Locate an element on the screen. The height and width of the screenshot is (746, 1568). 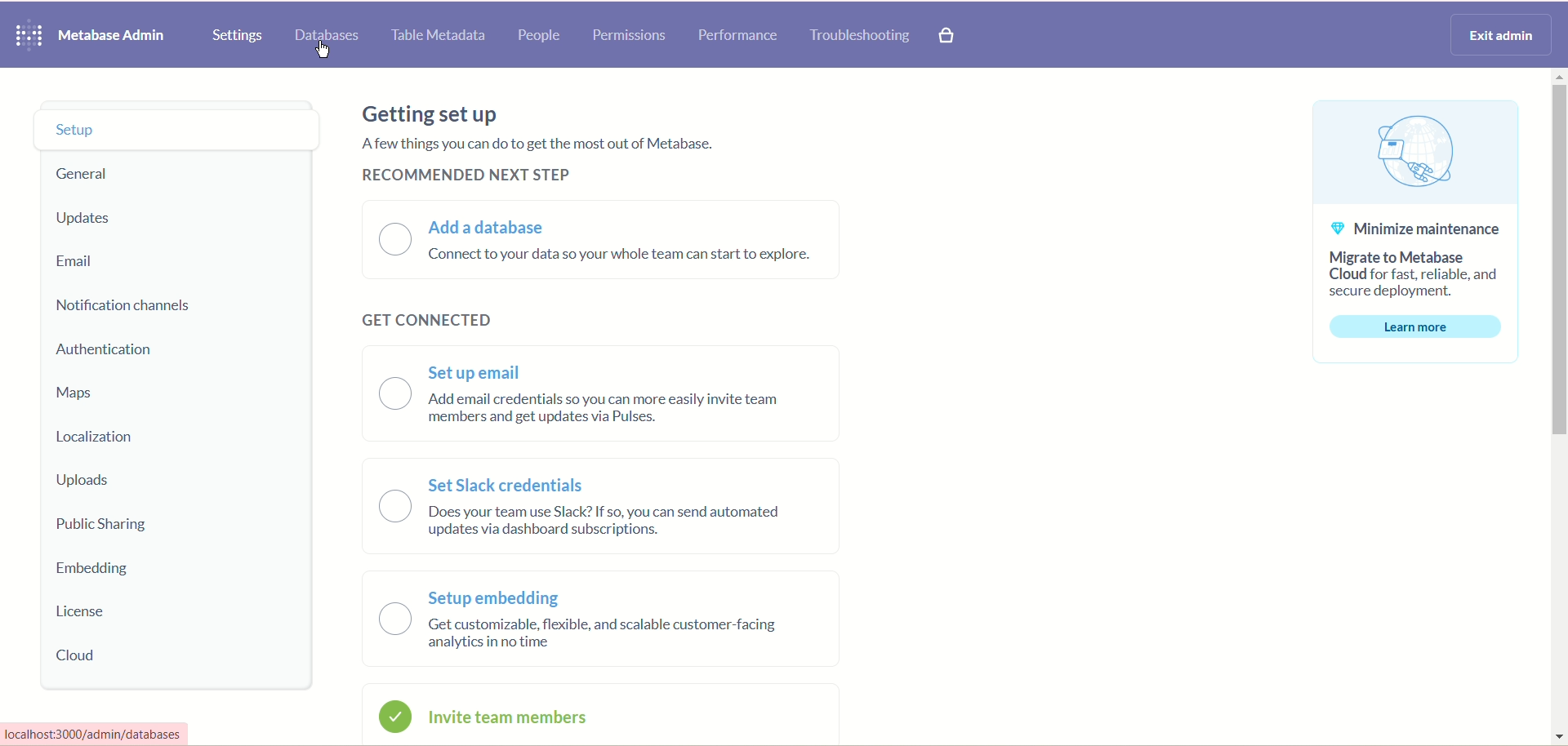
permissions is located at coordinates (629, 33).